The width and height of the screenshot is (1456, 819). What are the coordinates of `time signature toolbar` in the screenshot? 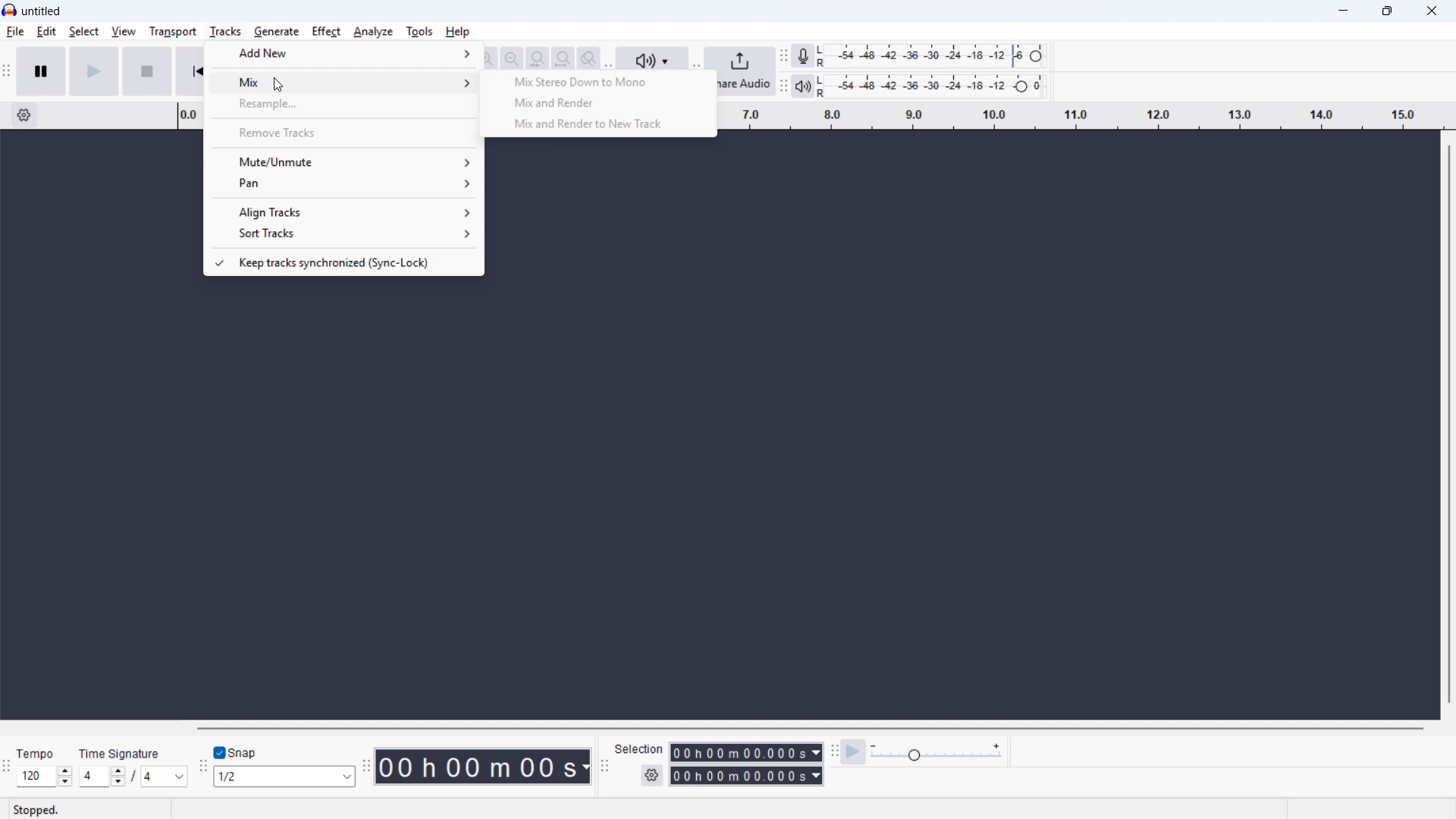 It's located at (8, 766).